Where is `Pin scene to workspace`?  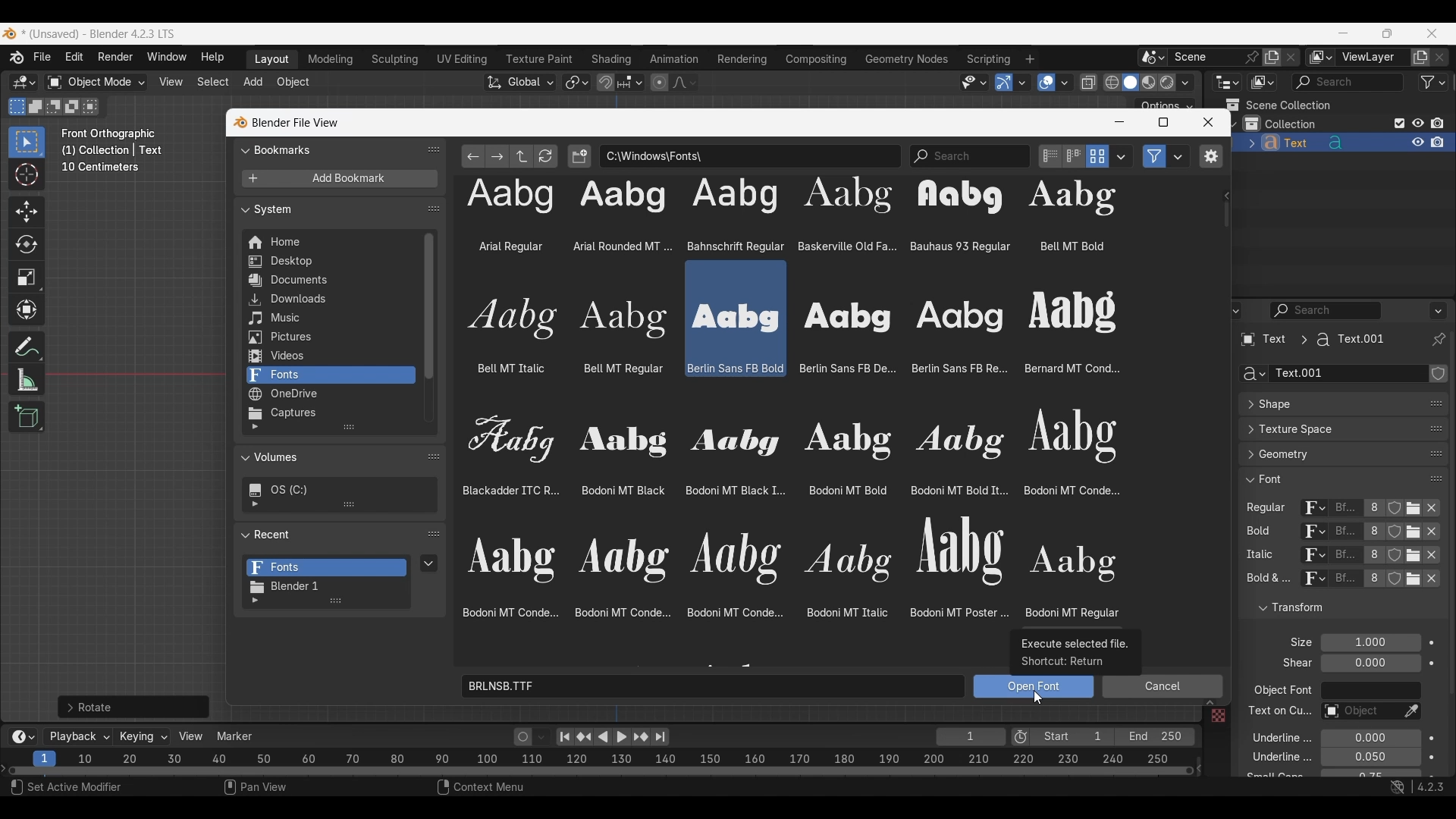 Pin scene to workspace is located at coordinates (1216, 57).